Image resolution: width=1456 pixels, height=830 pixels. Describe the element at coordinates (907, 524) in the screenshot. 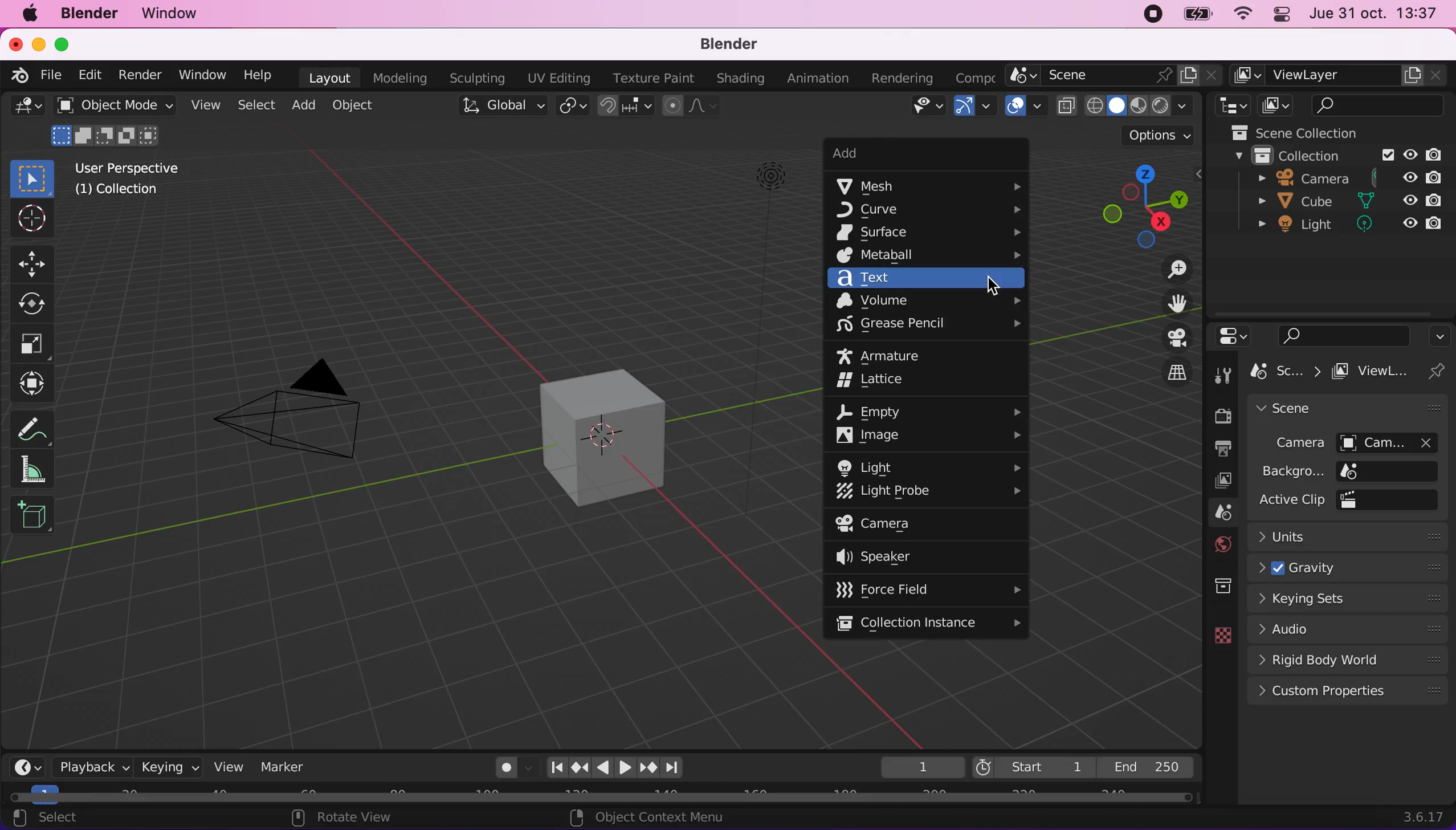

I see `camera` at that location.